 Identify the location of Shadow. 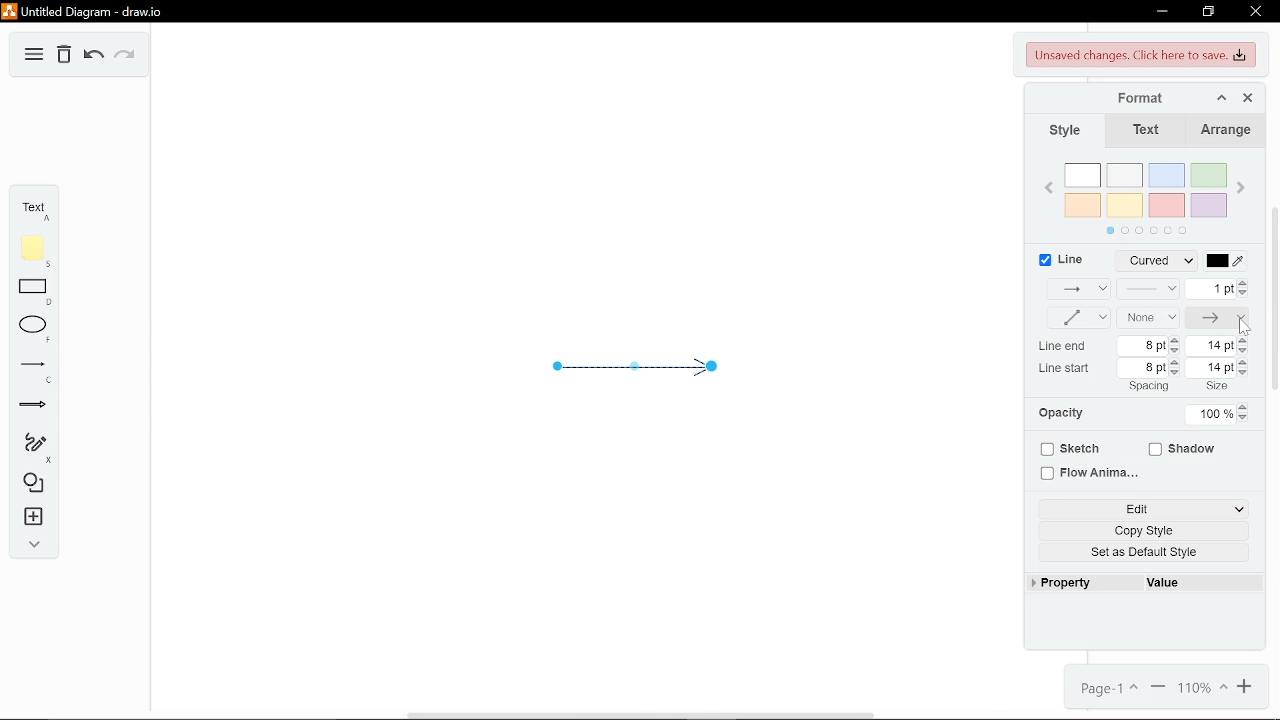
(1186, 450).